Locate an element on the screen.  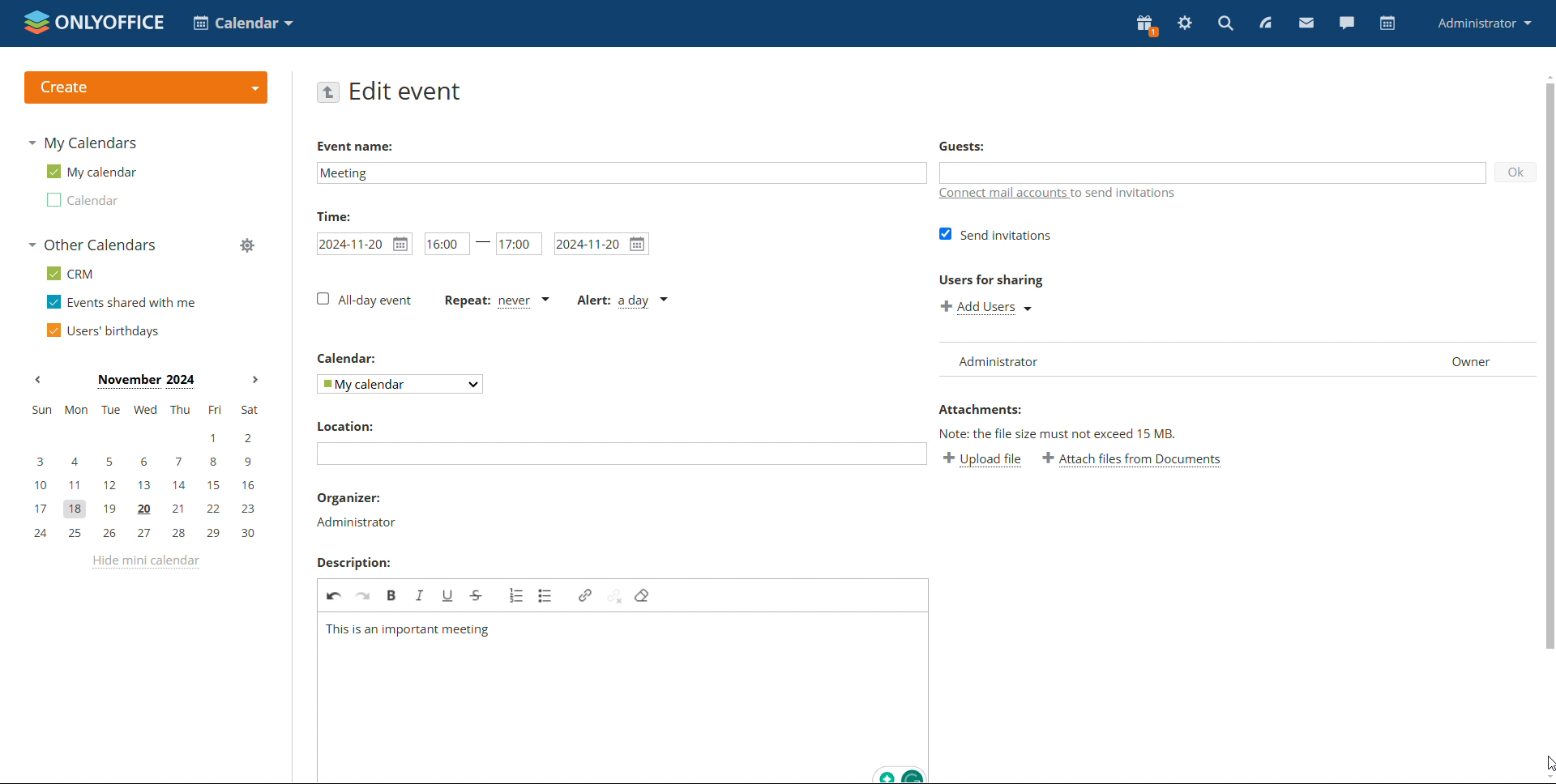
profile is located at coordinates (1483, 23).